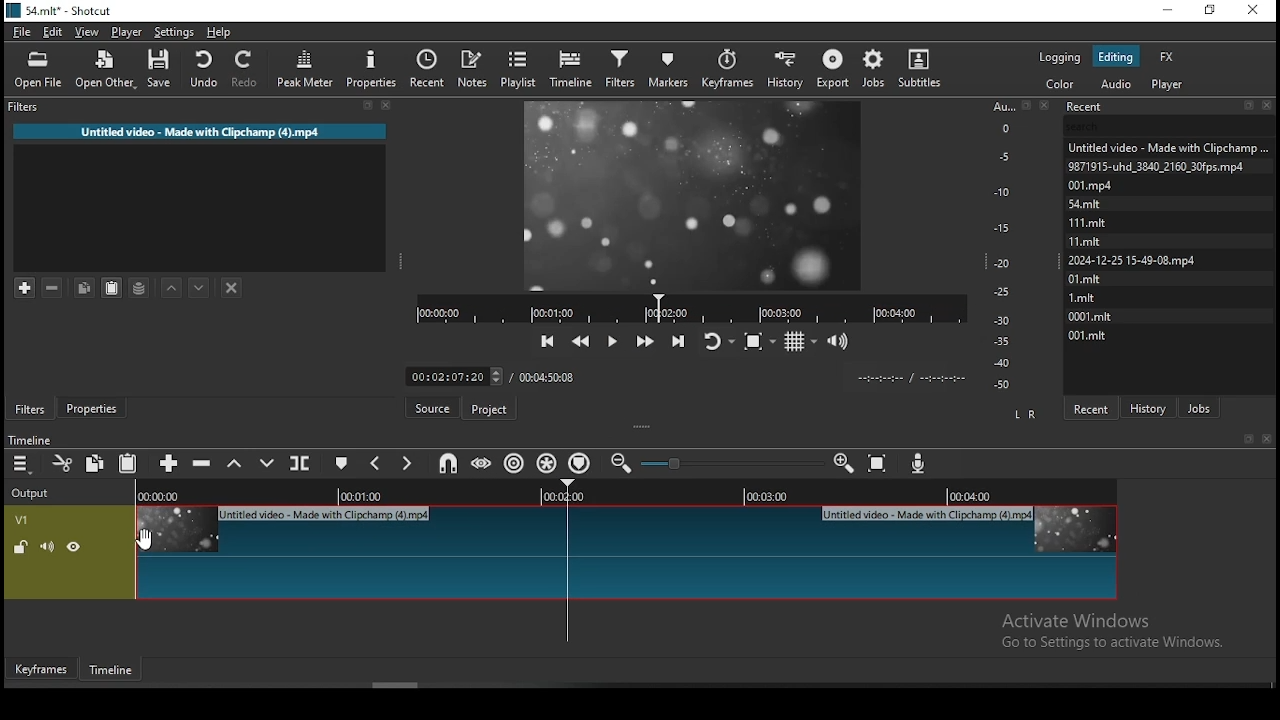 The height and width of the screenshot is (720, 1280). I want to click on jobs, so click(873, 69).